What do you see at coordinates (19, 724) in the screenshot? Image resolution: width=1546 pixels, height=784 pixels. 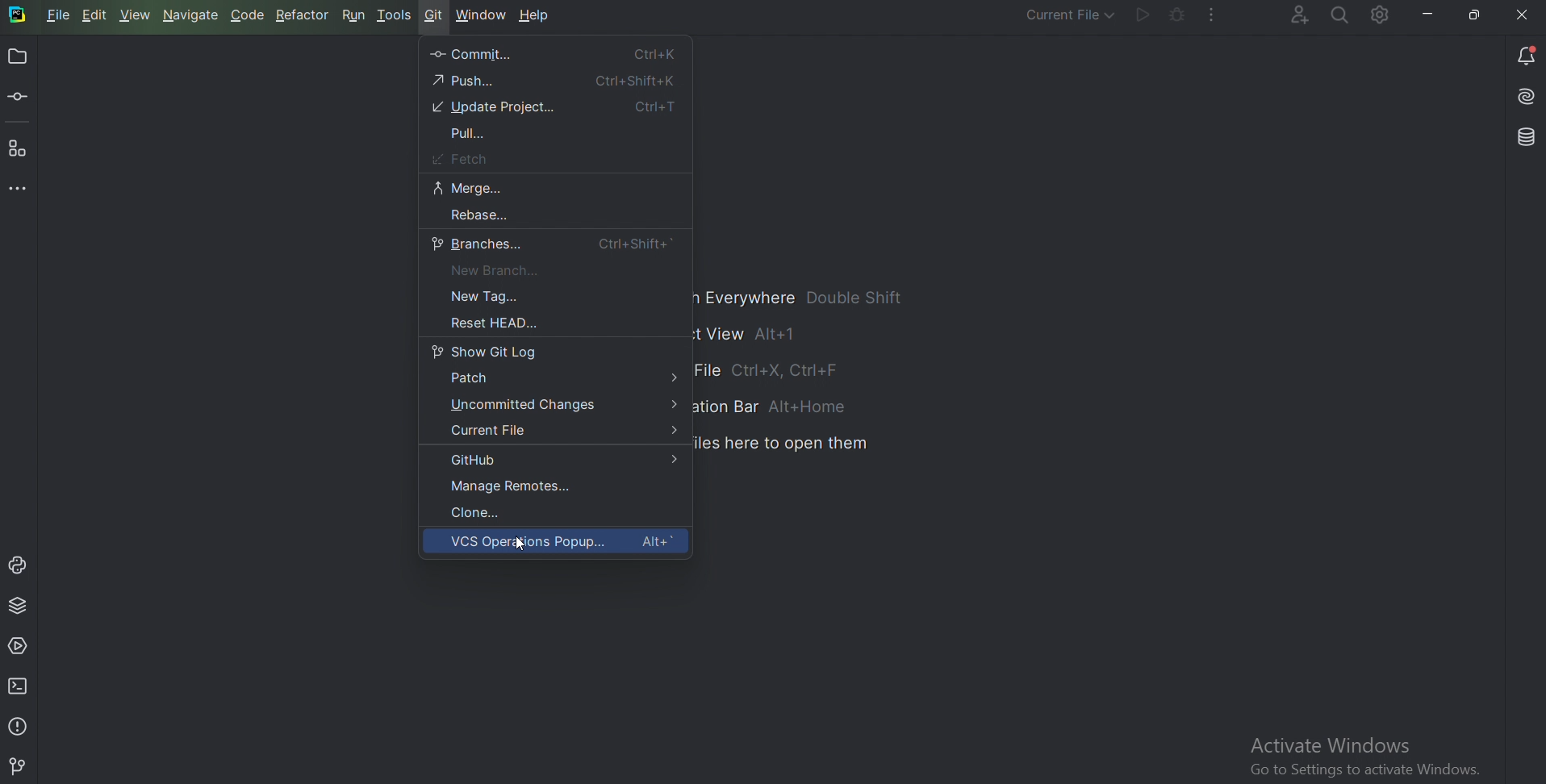 I see `Problems` at bounding box center [19, 724].